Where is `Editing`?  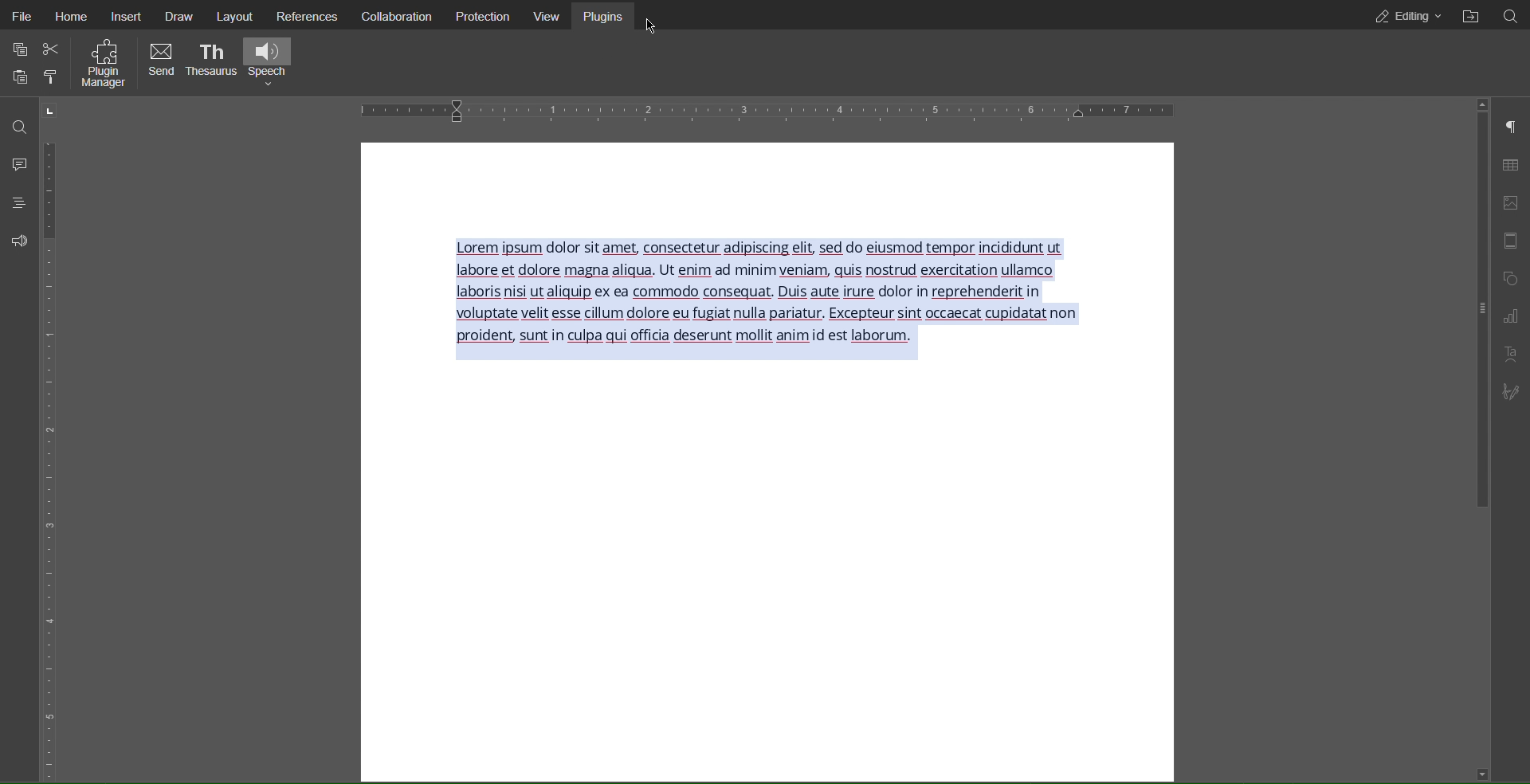
Editing is located at coordinates (1406, 16).